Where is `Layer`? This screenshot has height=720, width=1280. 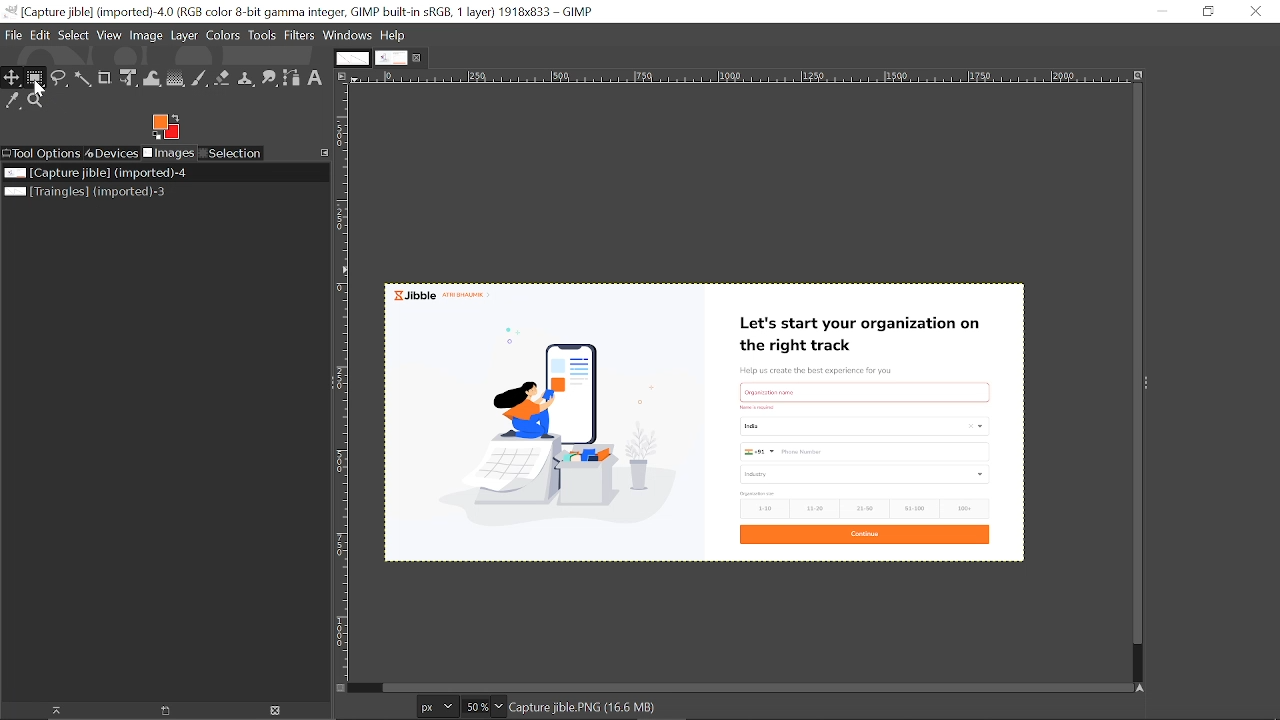
Layer is located at coordinates (186, 37).